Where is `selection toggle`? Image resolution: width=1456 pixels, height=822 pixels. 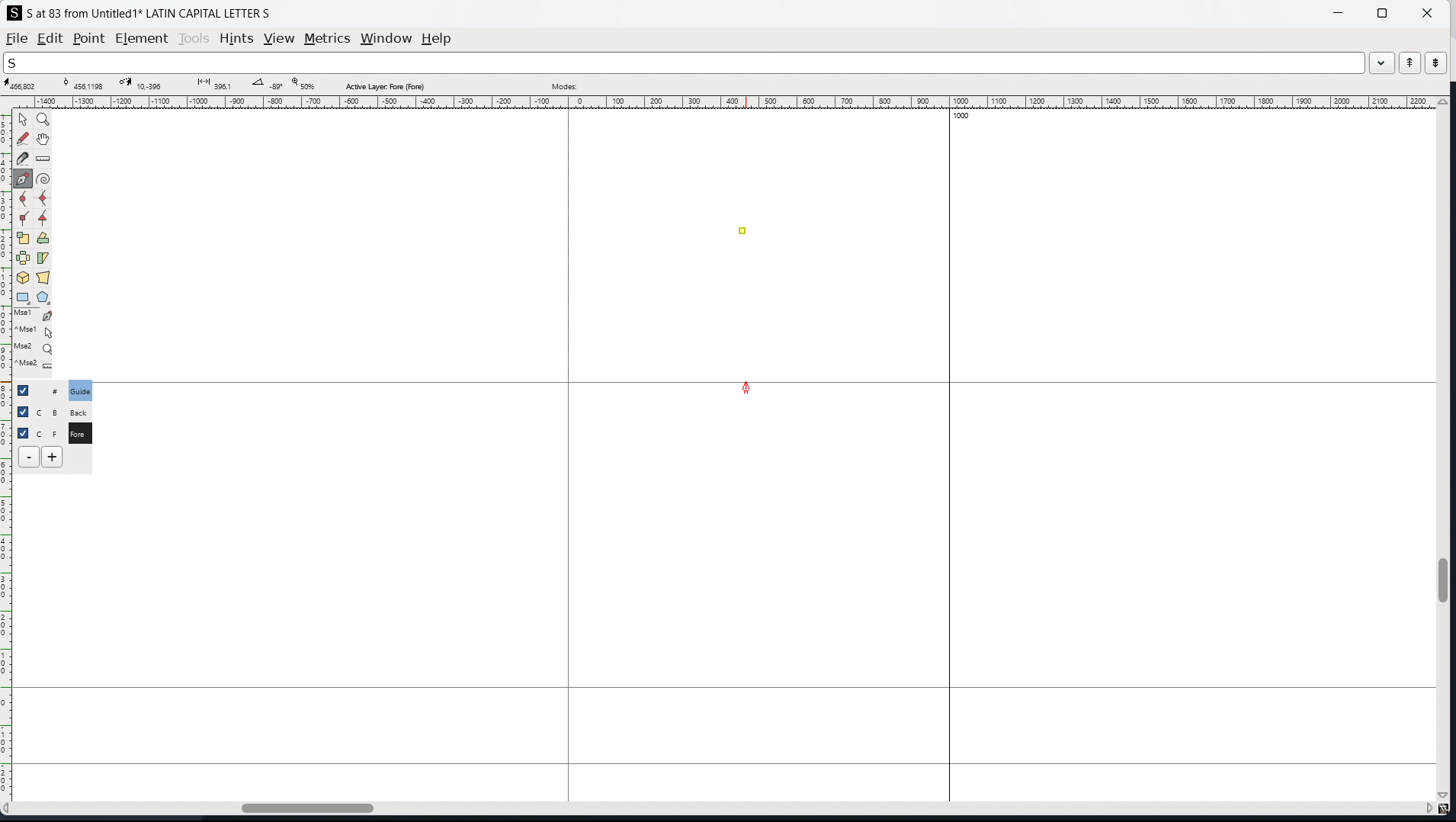 selection toggle is located at coordinates (24, 432).